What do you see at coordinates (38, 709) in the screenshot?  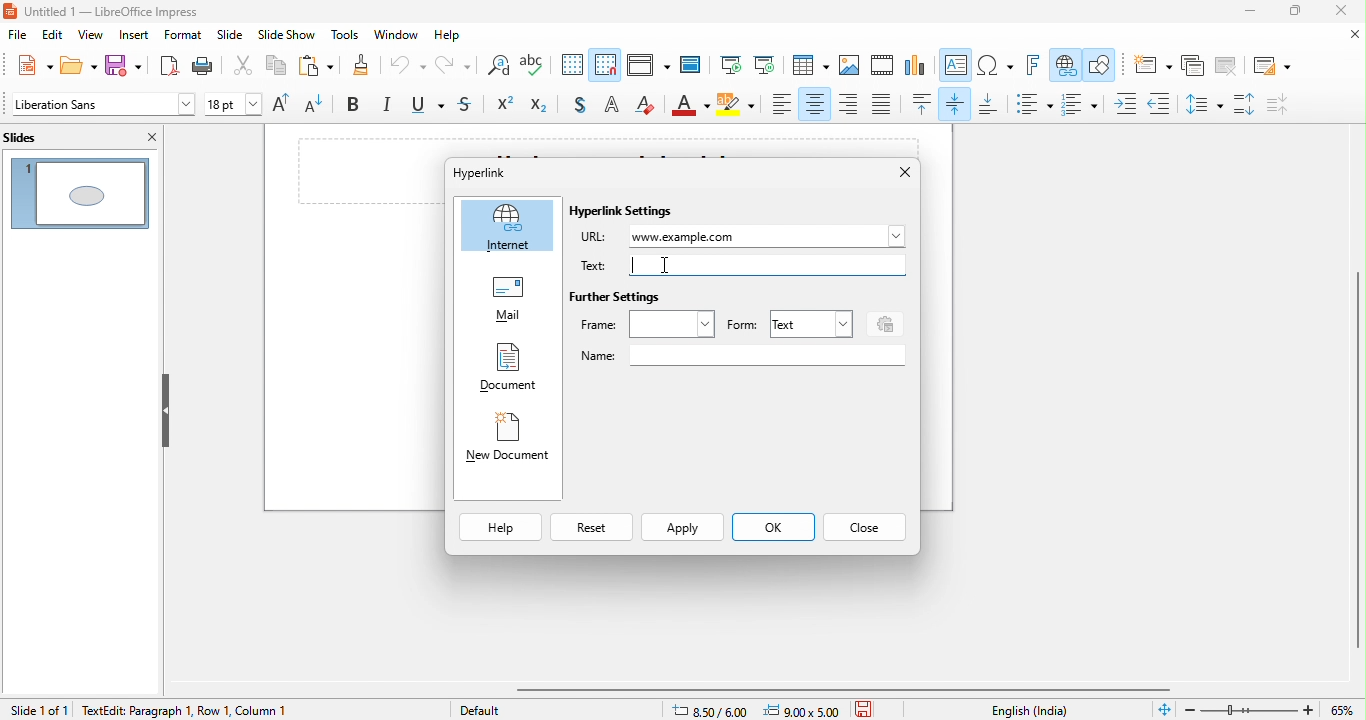 I see `slide 1 of 1` at bounding box center [38, 709].